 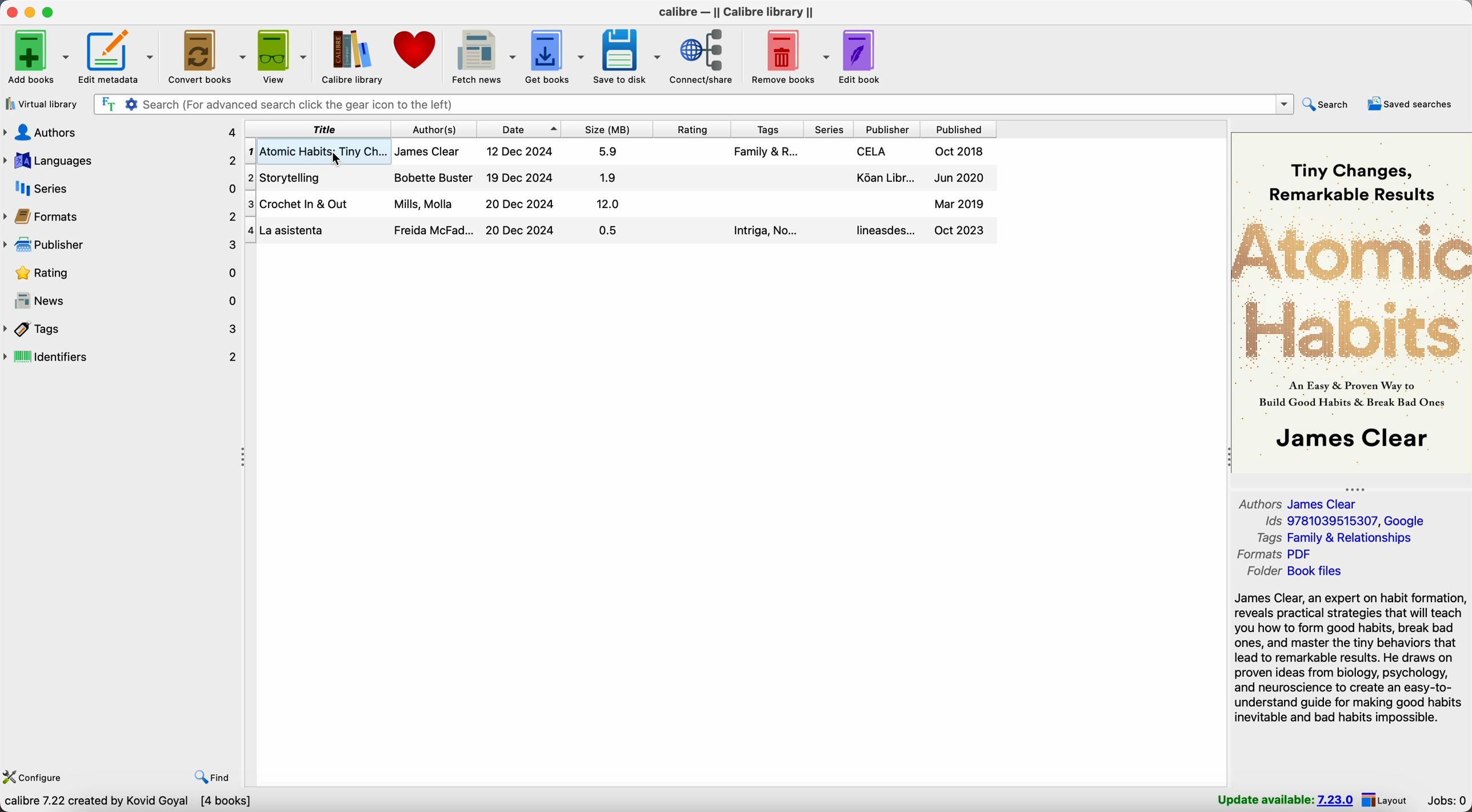 I want to click on publisher, so click(x=890, y=129).